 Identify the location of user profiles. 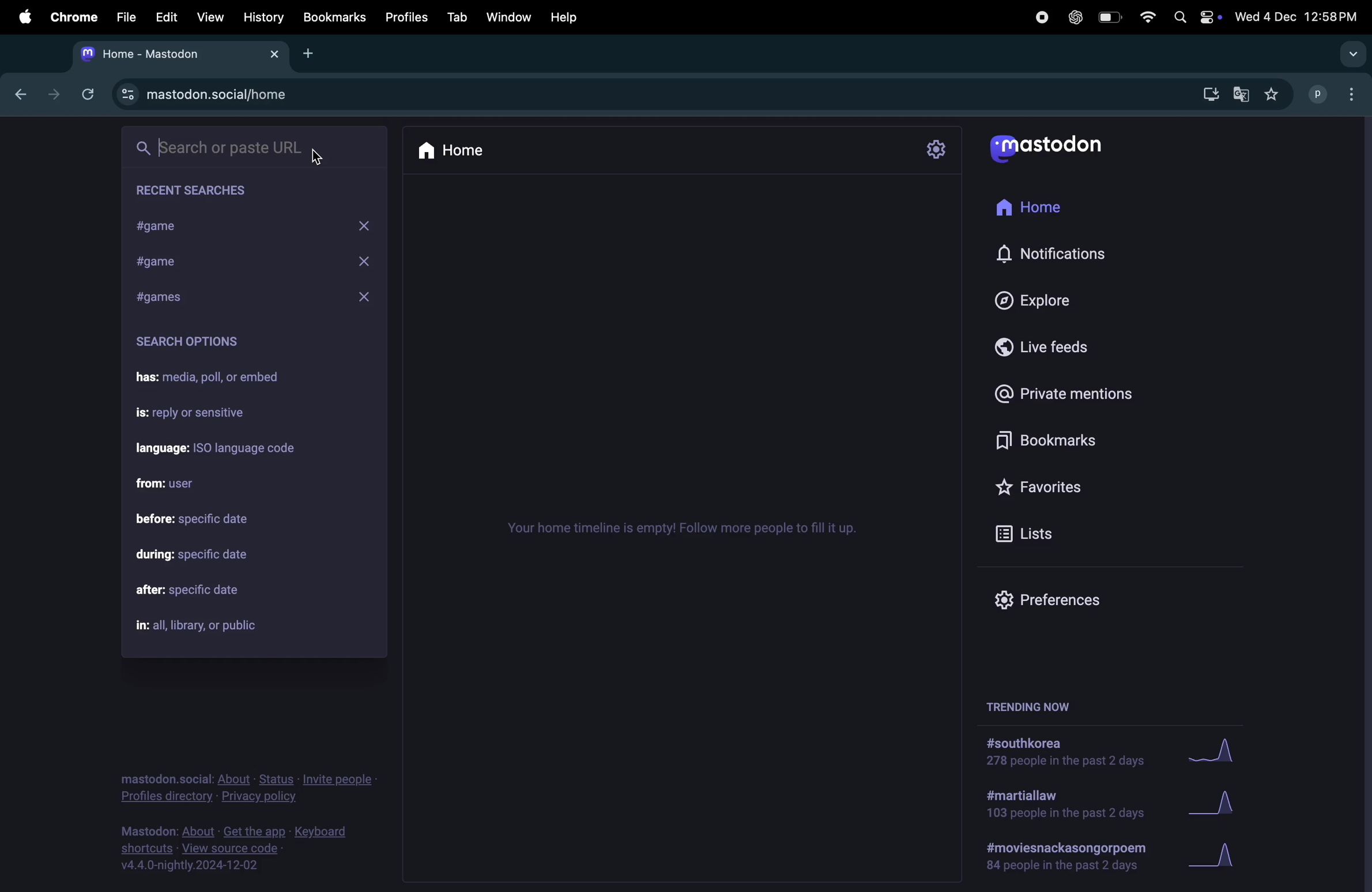
(1333, 94).